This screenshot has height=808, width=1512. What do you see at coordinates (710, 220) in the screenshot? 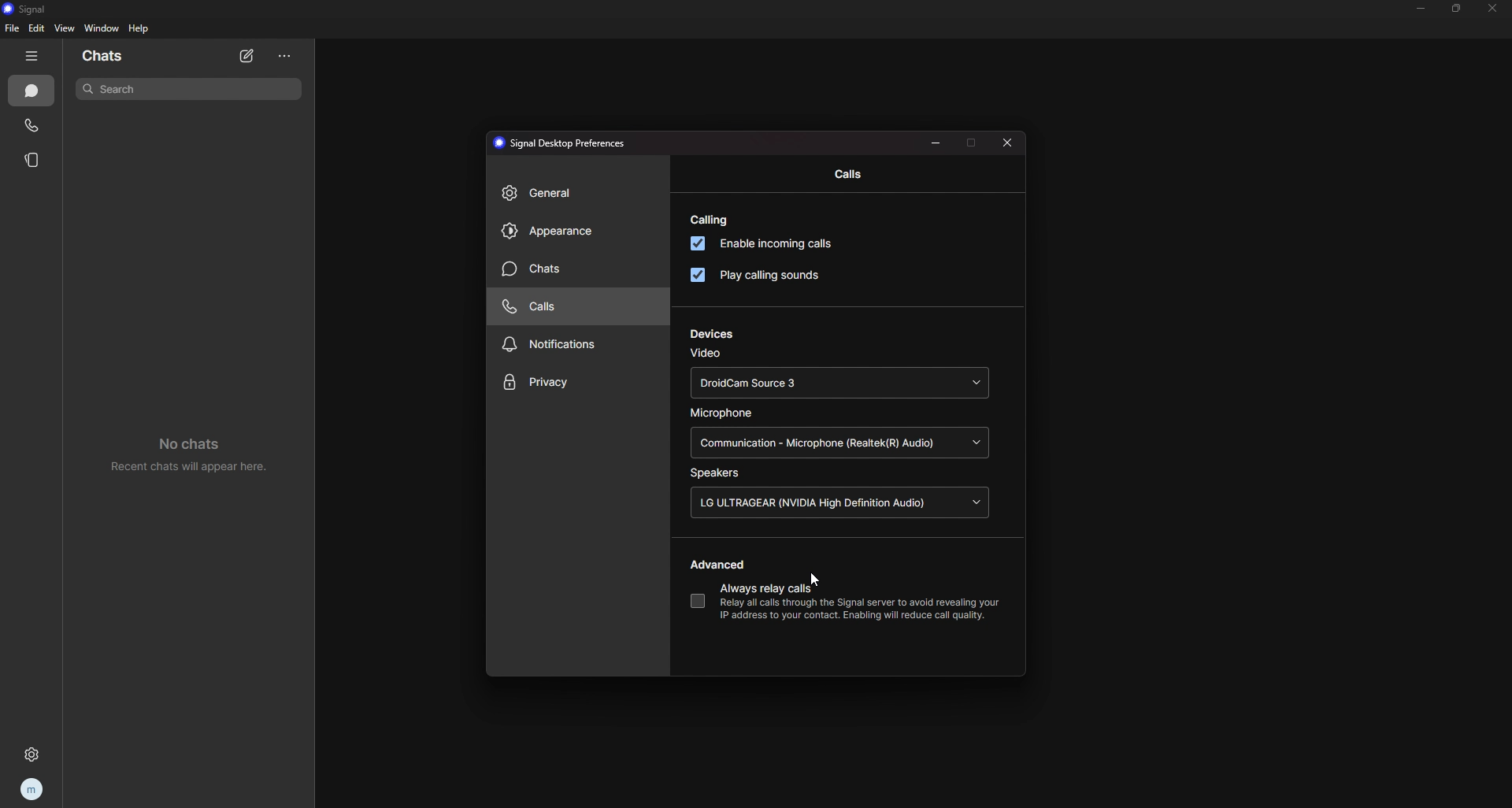
I see `calling` at bounding box center [710, 220].